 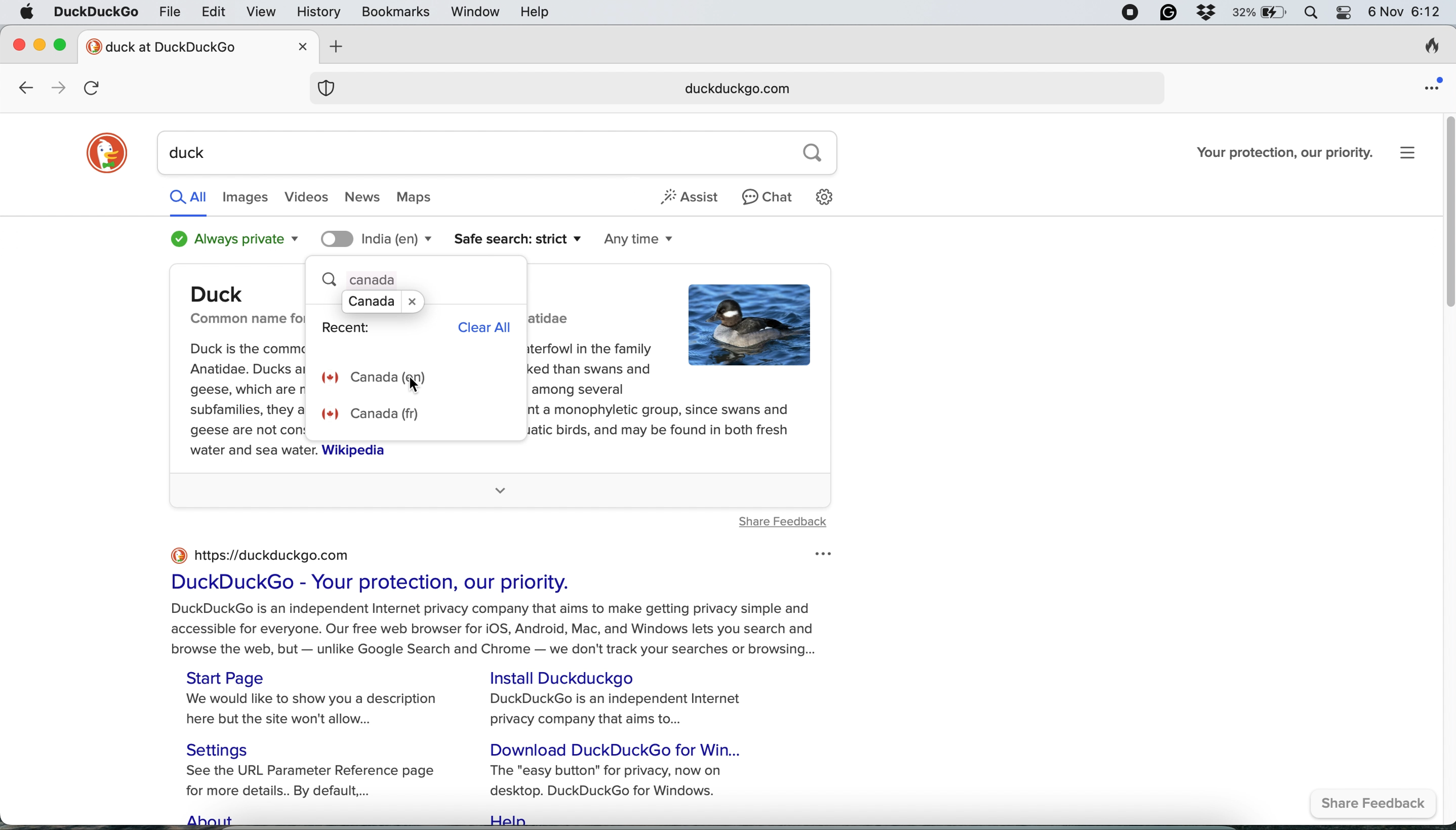 I want to click on canada, so click(x=384, y=280).